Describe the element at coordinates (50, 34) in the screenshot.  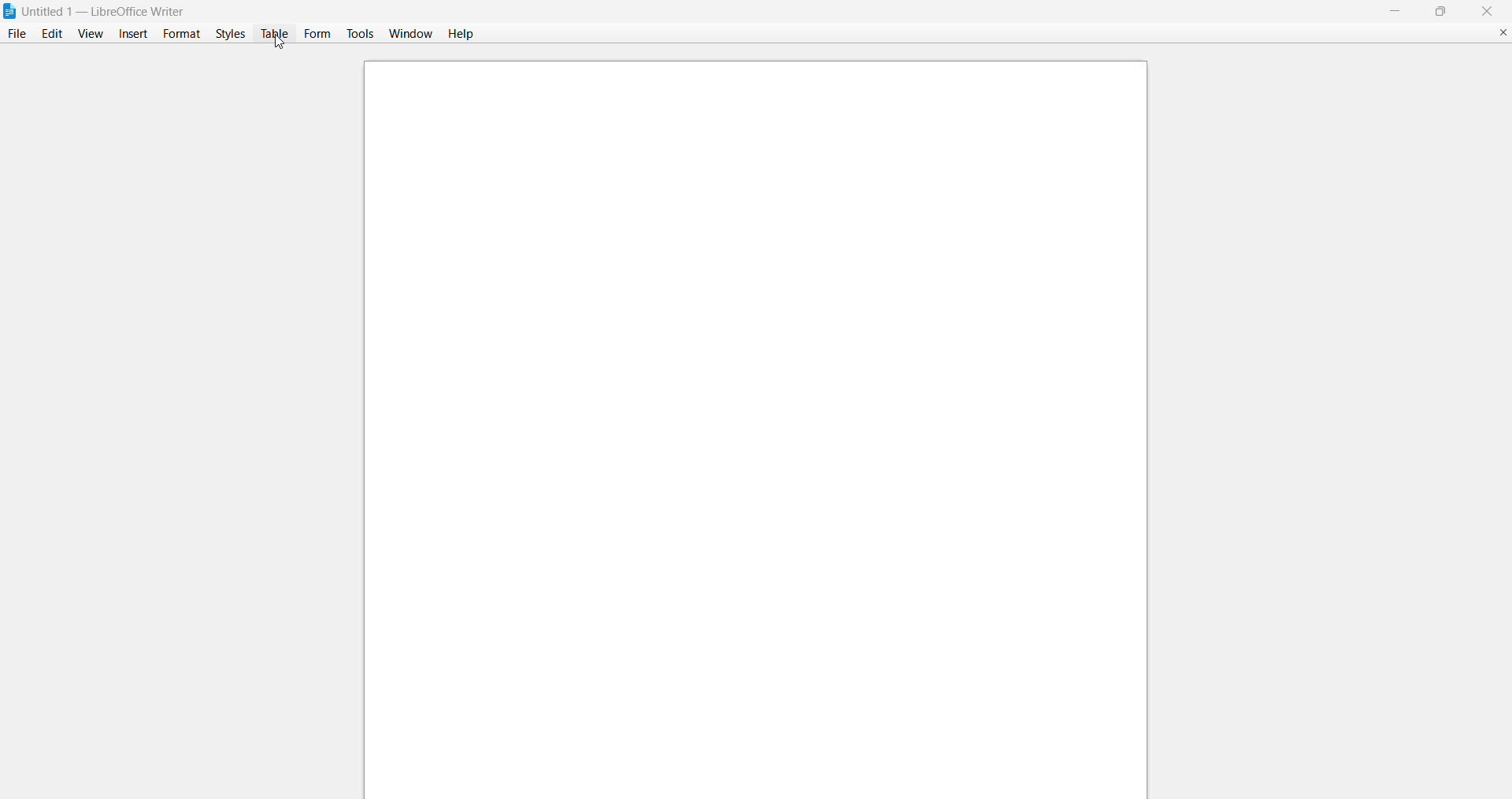
I see `edit` at that location.